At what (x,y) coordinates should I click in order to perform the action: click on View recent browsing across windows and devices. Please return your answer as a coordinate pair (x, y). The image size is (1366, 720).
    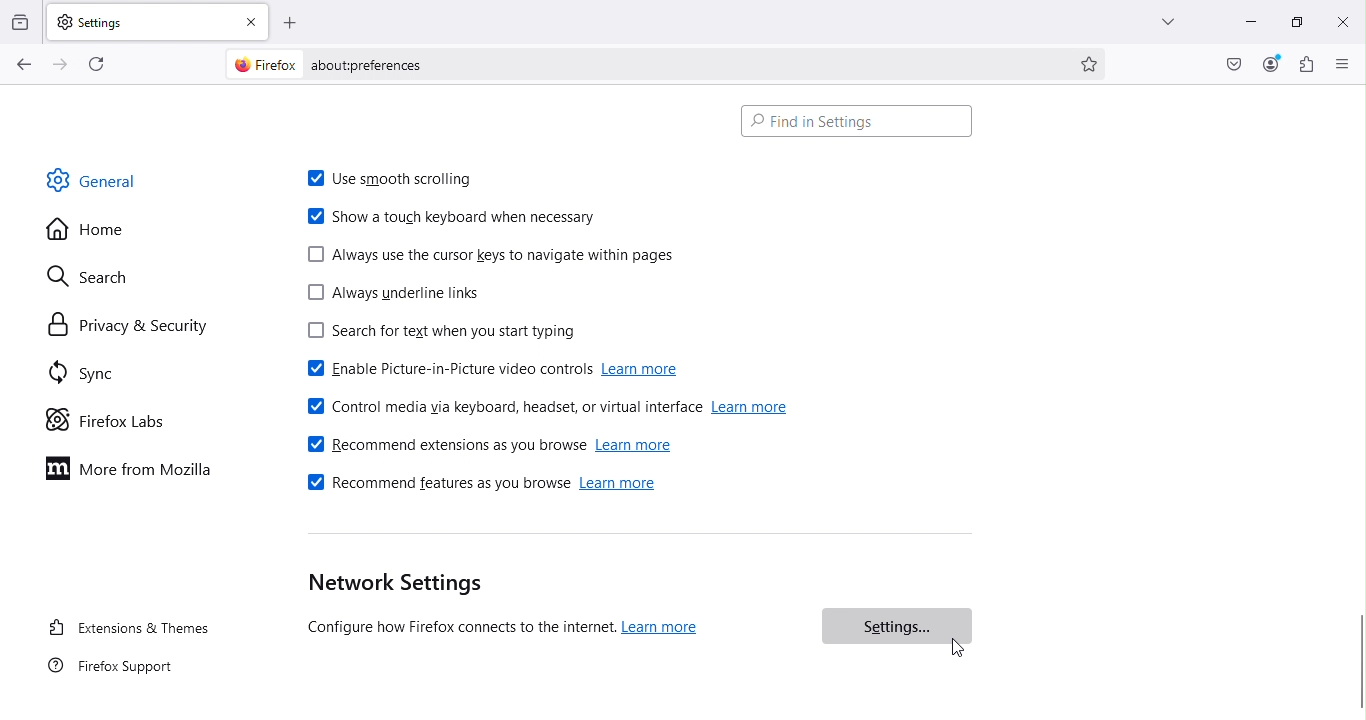
    Looking at the image, I should click on (21, 18).